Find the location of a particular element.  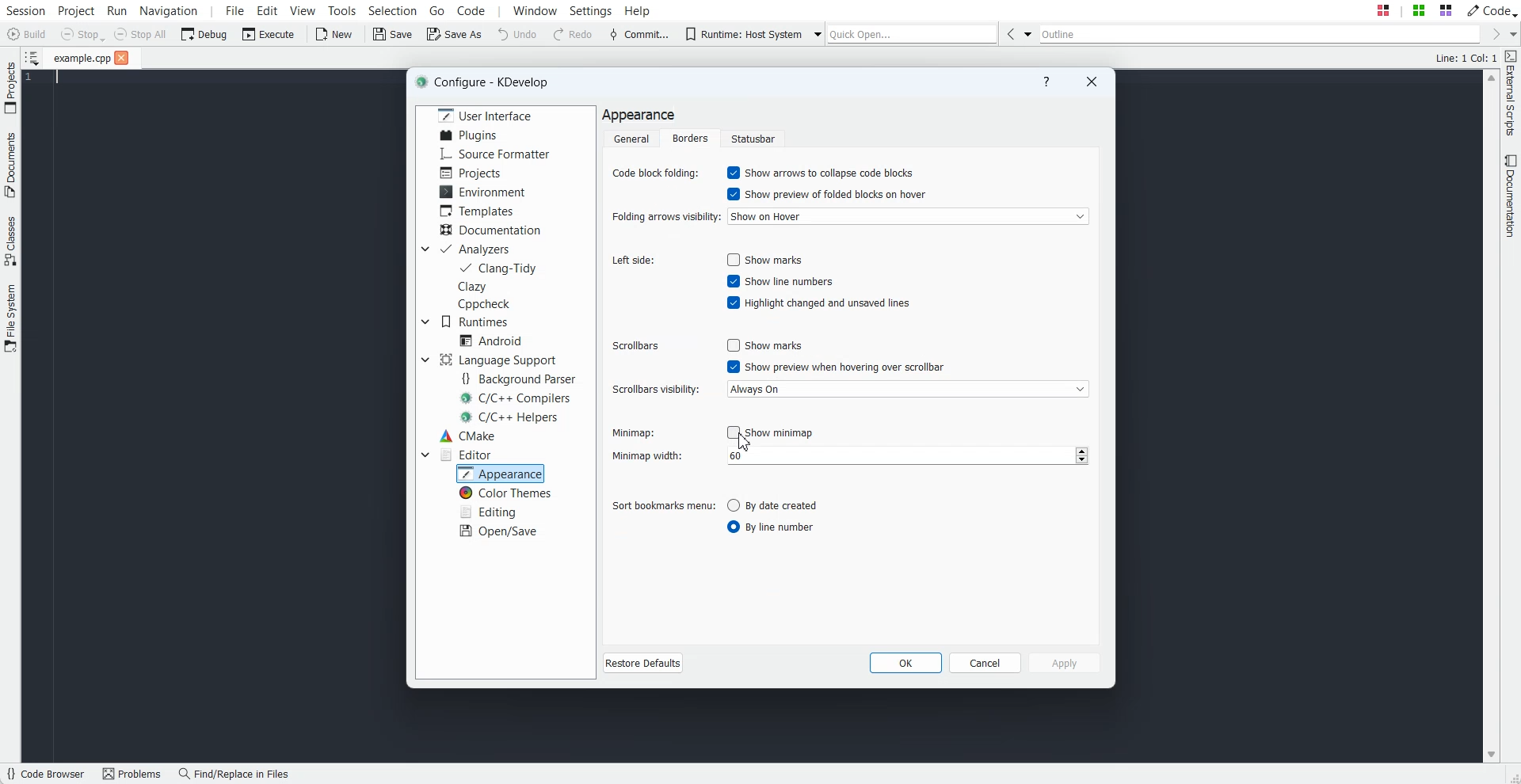

Text is located at coordinates (639, 116).